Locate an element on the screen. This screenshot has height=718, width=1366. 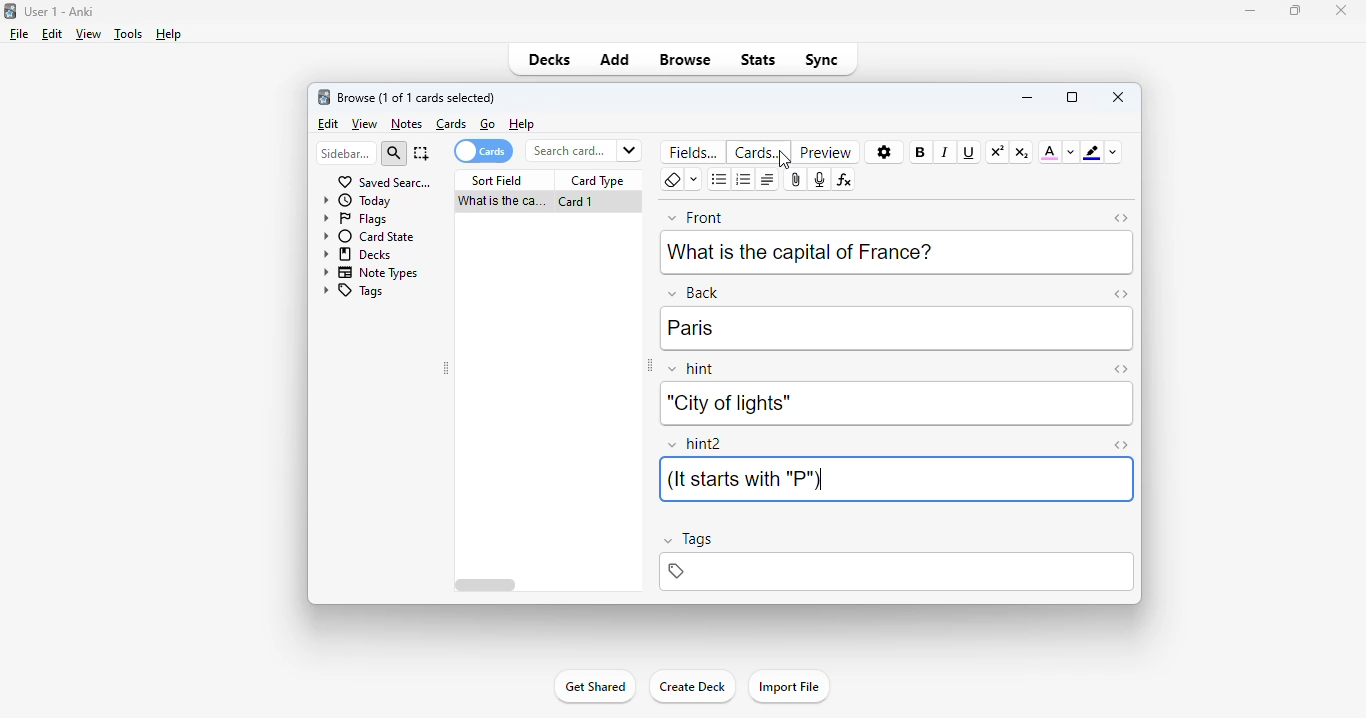
(It starts with "P") is located at coordinates (743, 480).